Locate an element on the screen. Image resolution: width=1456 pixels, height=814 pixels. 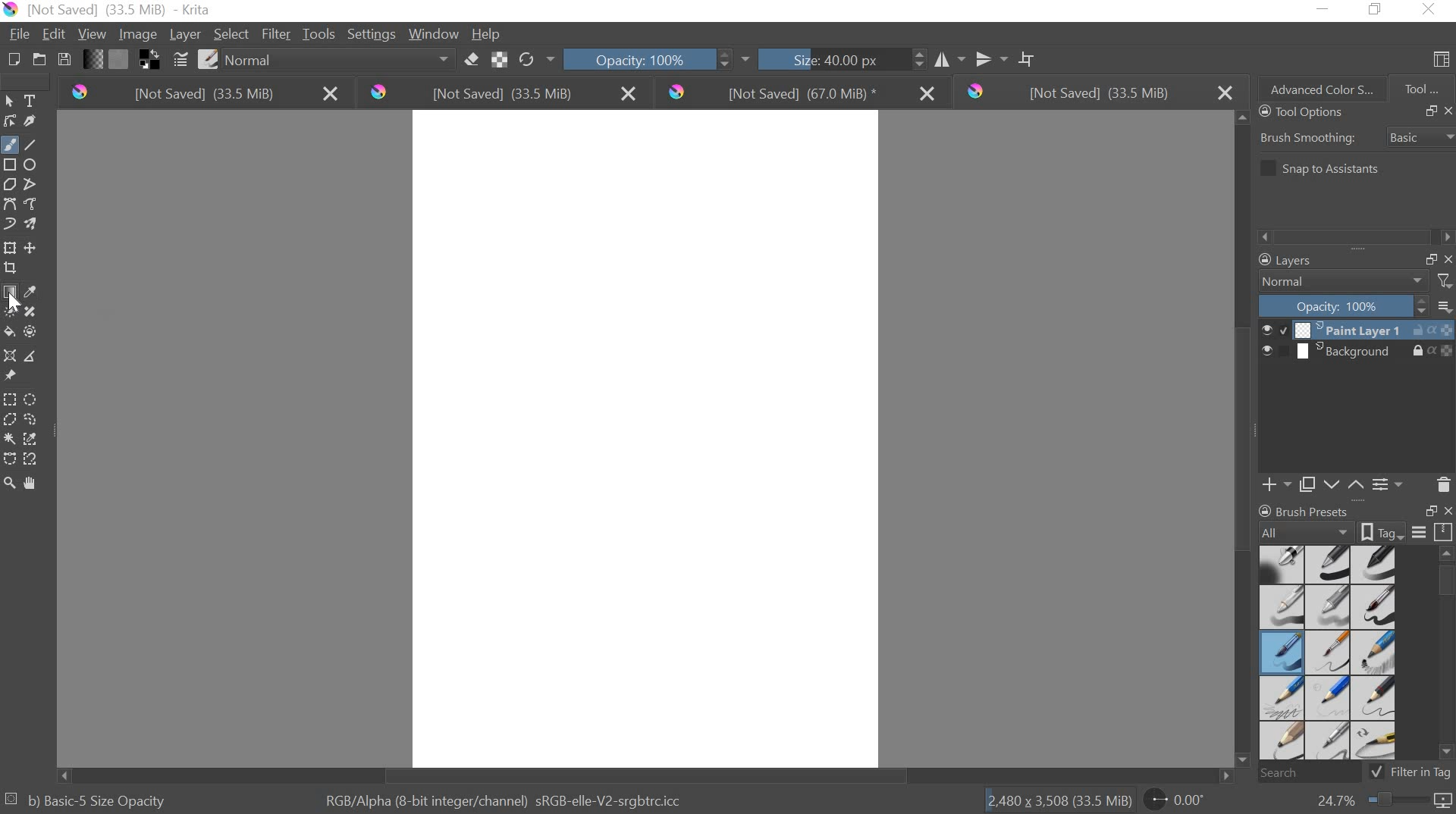
TOOLS is located at coordinates (319, 33).